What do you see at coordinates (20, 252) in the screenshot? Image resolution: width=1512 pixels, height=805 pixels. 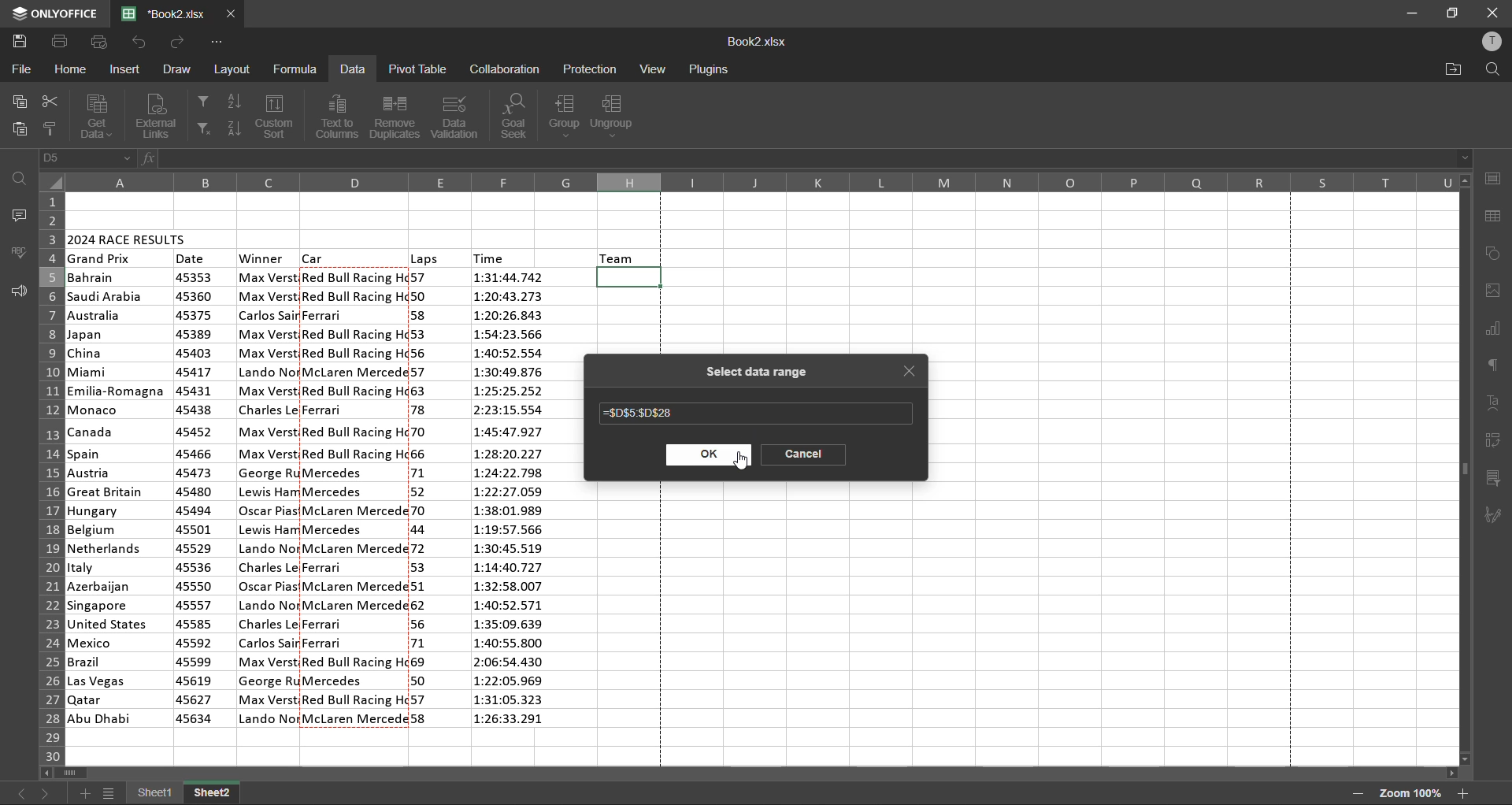 I see `spellcheck` at bounding box center [20, 252].